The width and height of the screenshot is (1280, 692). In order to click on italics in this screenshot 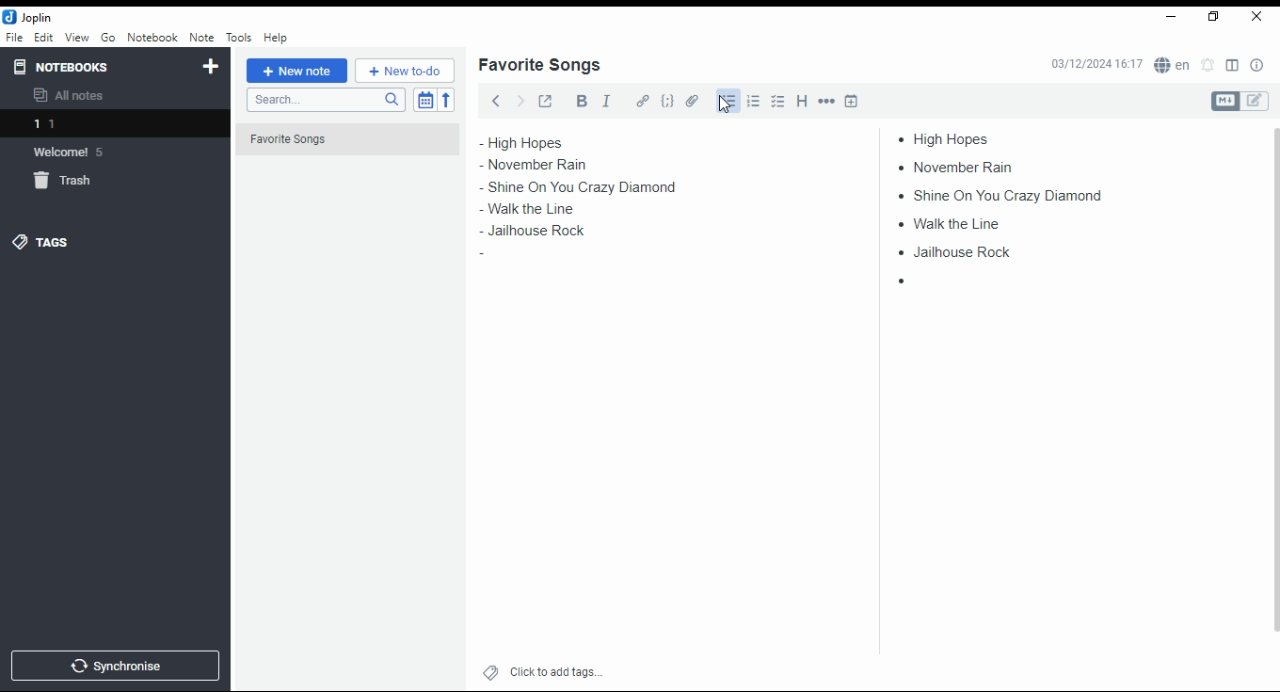, I will do `click(606, 100)`.